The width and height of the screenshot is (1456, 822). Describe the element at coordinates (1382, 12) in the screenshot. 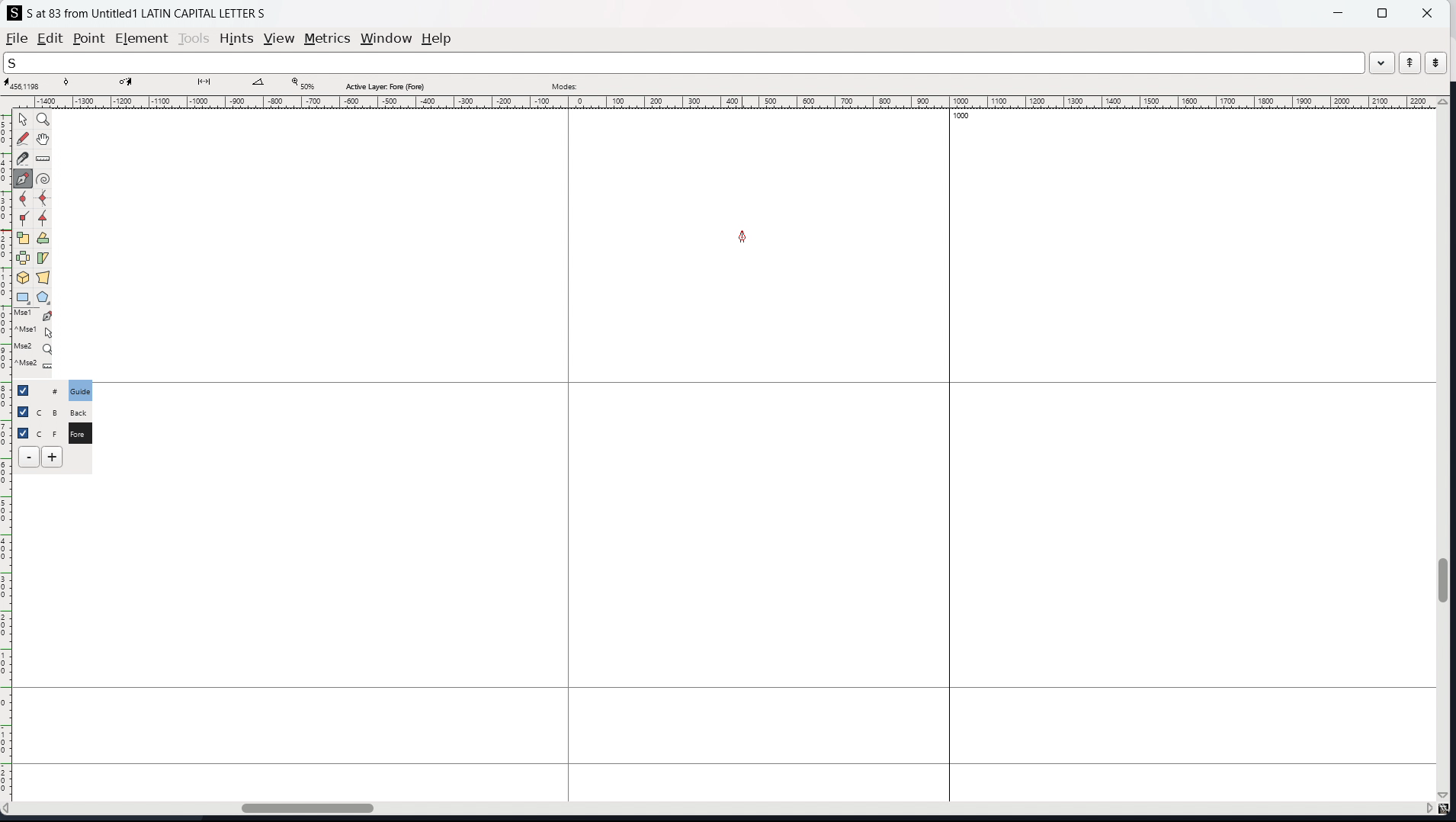

I see `maximize` at that location.